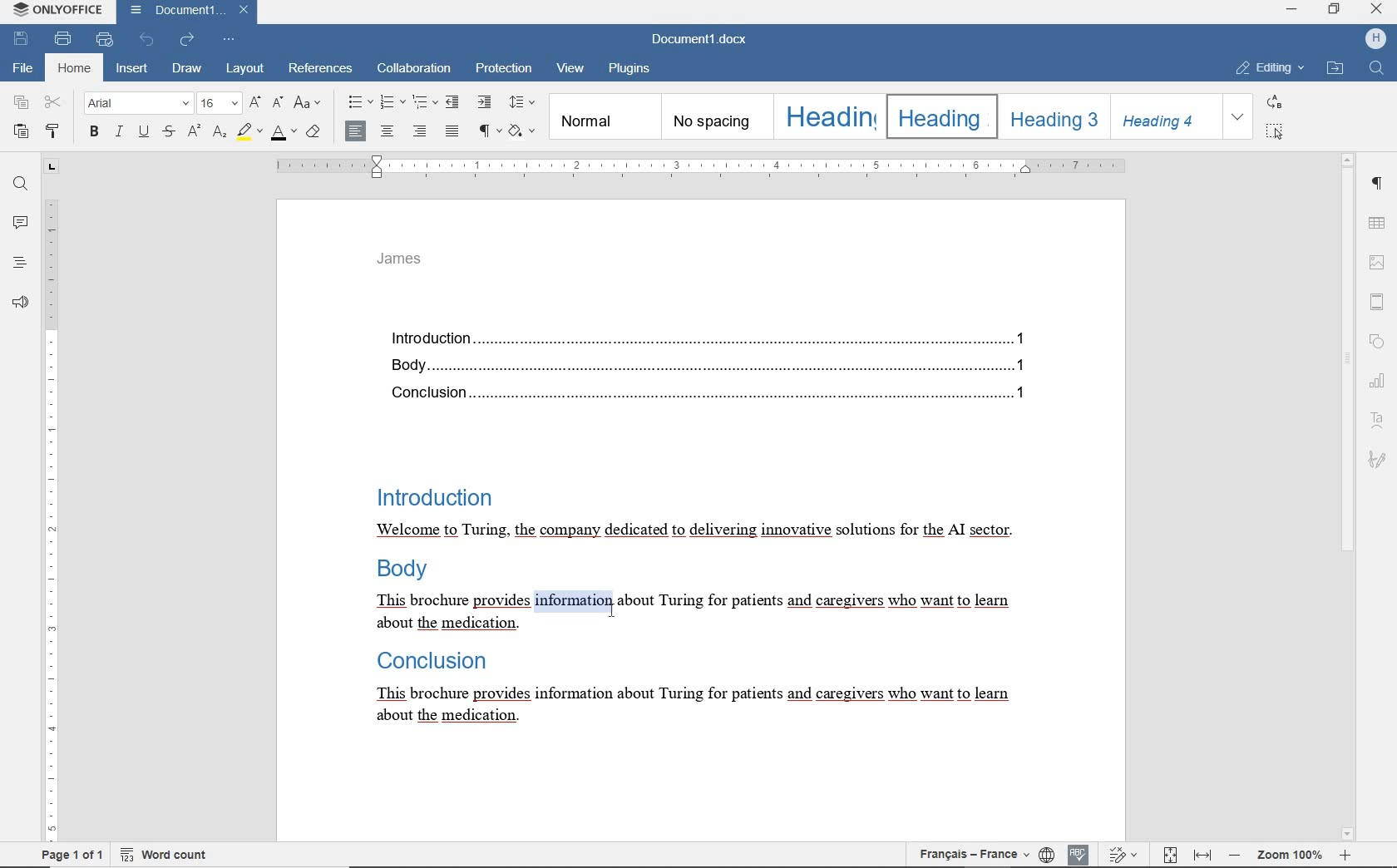 This screenshot has height=868, width=1397. Describe the element at coordinates (72, 69) in the screenshot. I see `HOME` at that location.